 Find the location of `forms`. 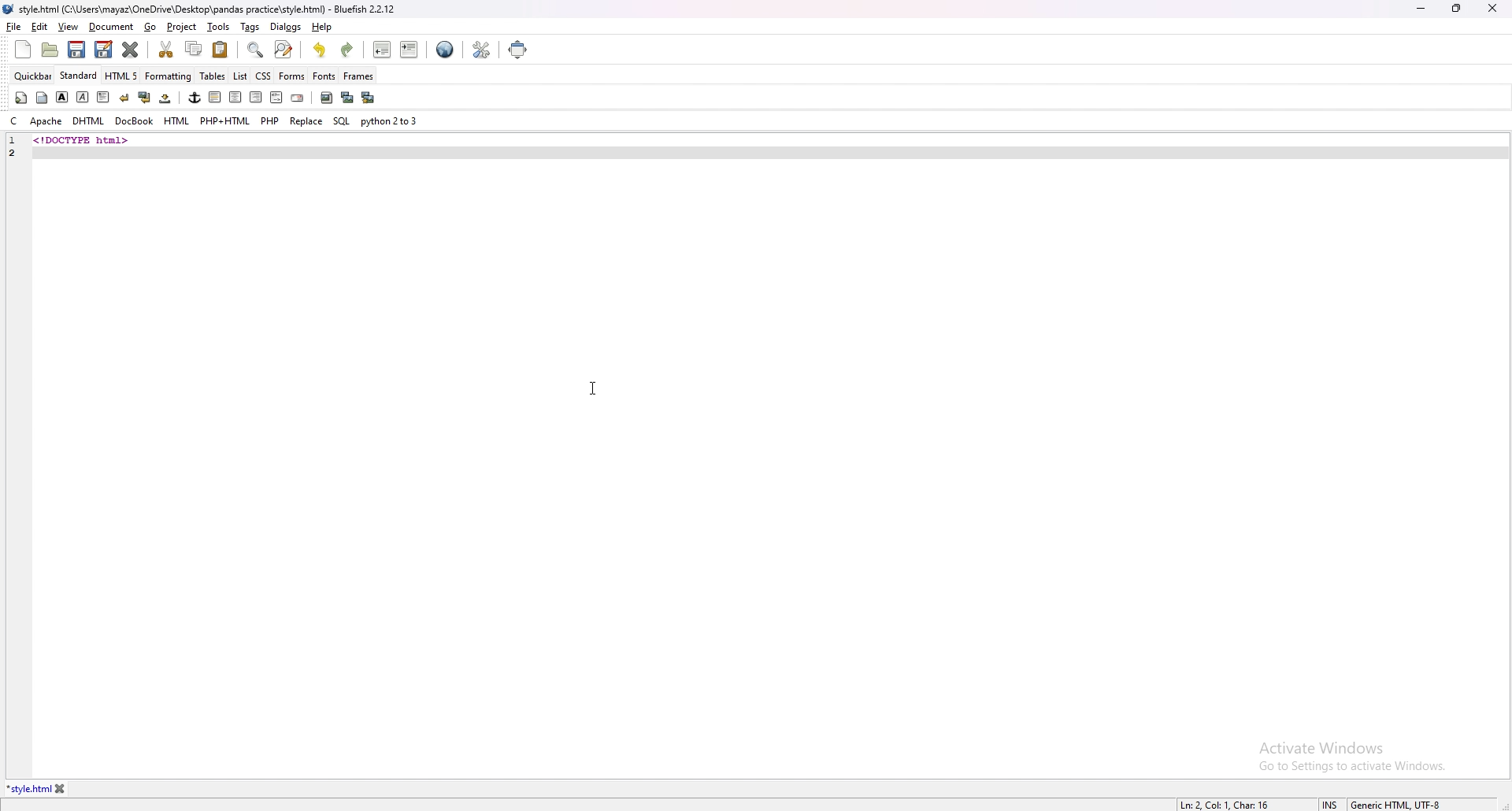

forms is located at coordinates (292, 75).